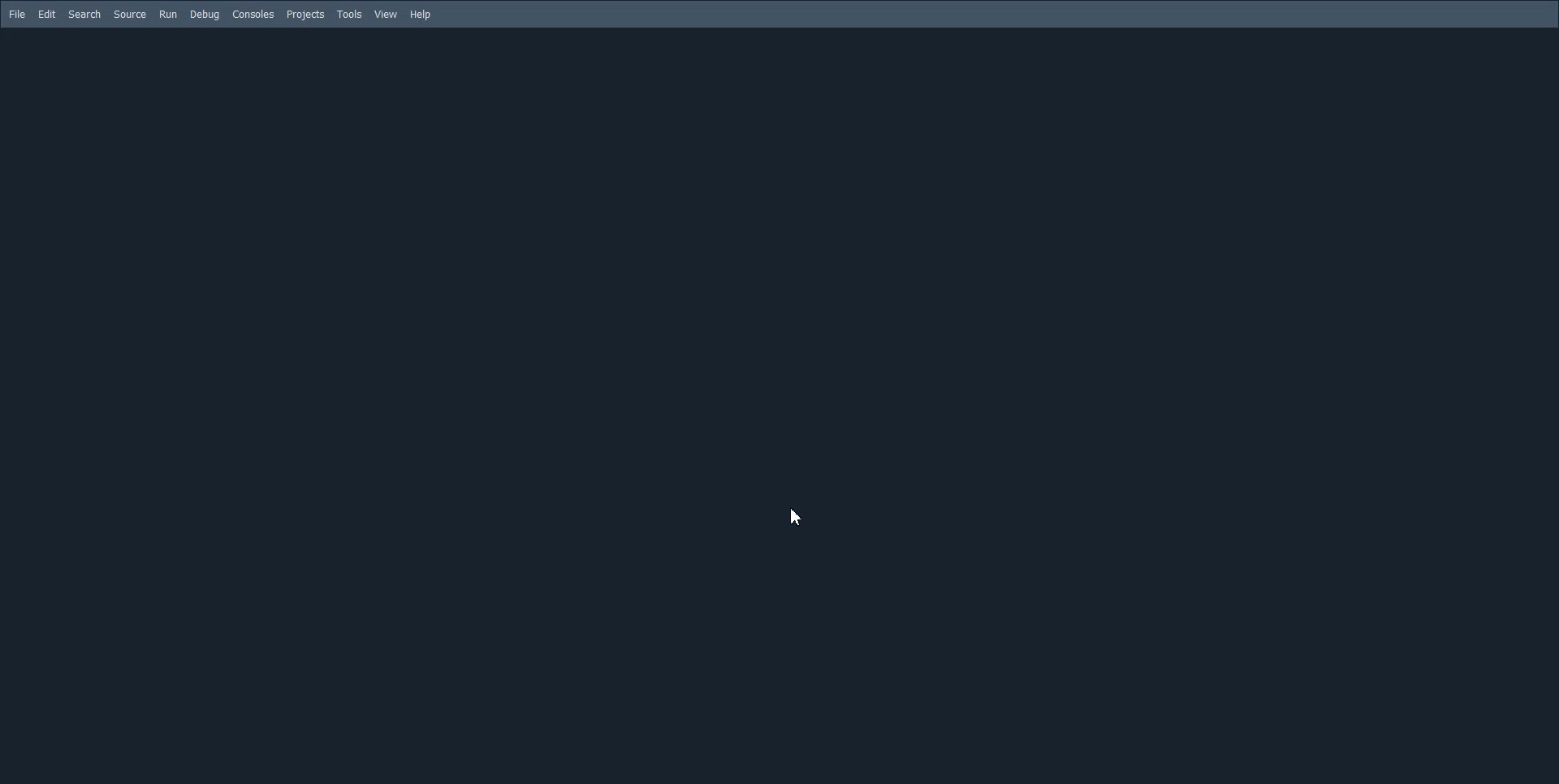  I want to click on Consoles, so click(253, 15).